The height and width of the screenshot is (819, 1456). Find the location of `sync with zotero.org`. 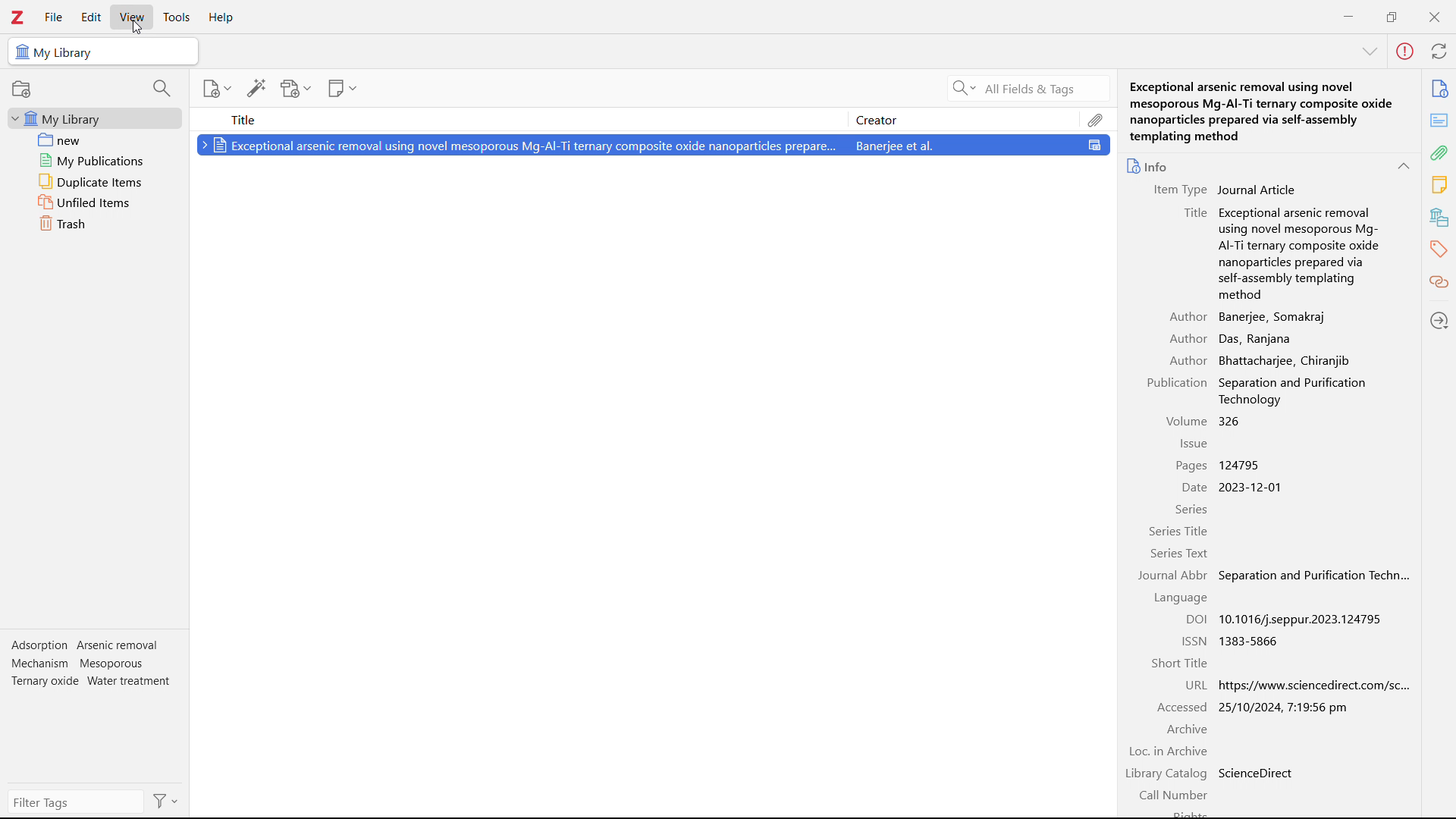

sync with zotero.org is located at coordinates (1440, 51).